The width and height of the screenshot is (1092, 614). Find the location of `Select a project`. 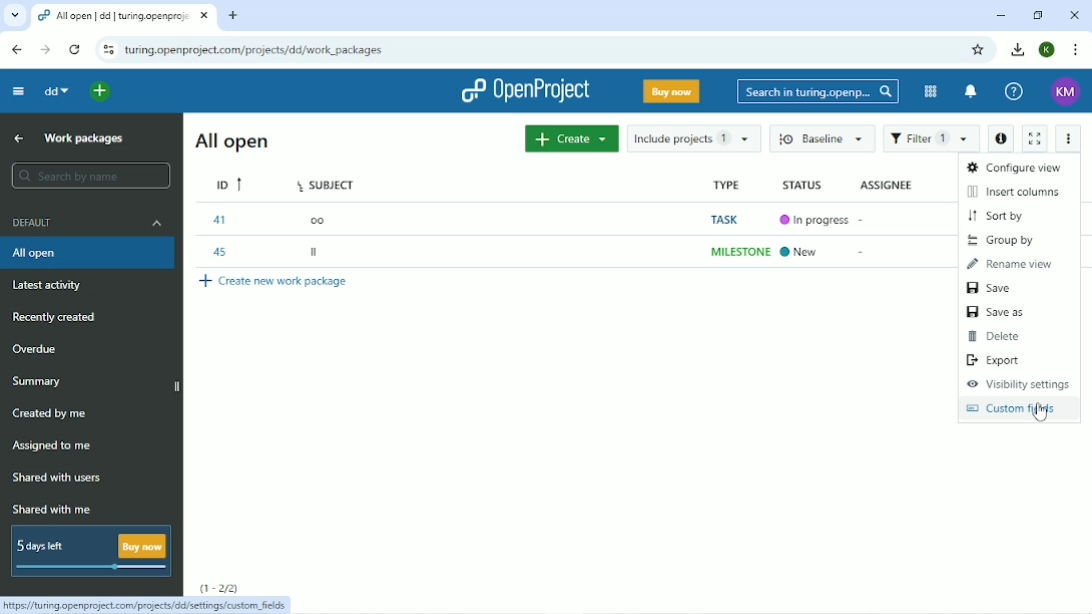

Select a project is located at coordinates (99, 92).